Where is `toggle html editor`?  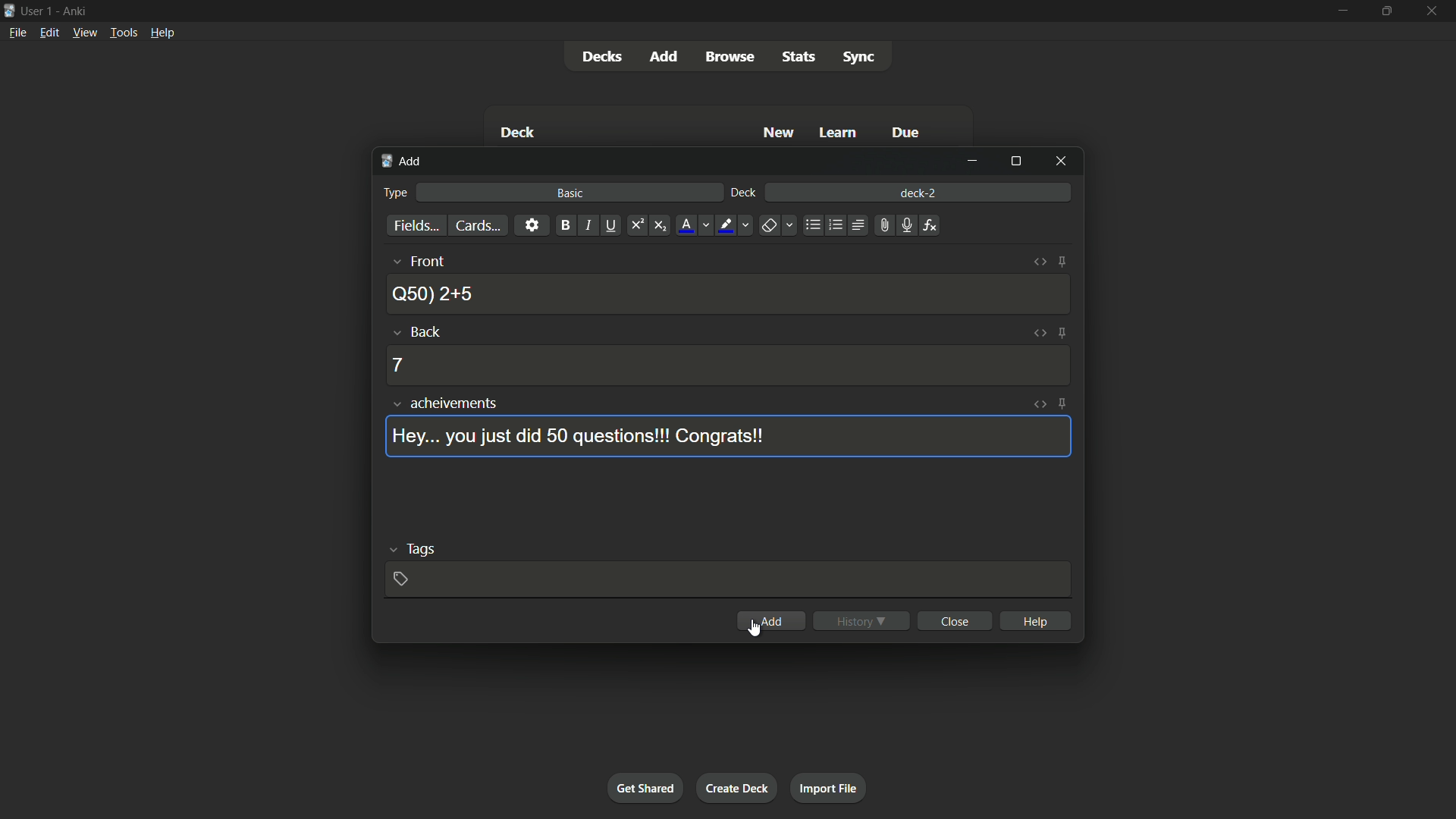
toggle html editor is located at coordinates (1037, 333).